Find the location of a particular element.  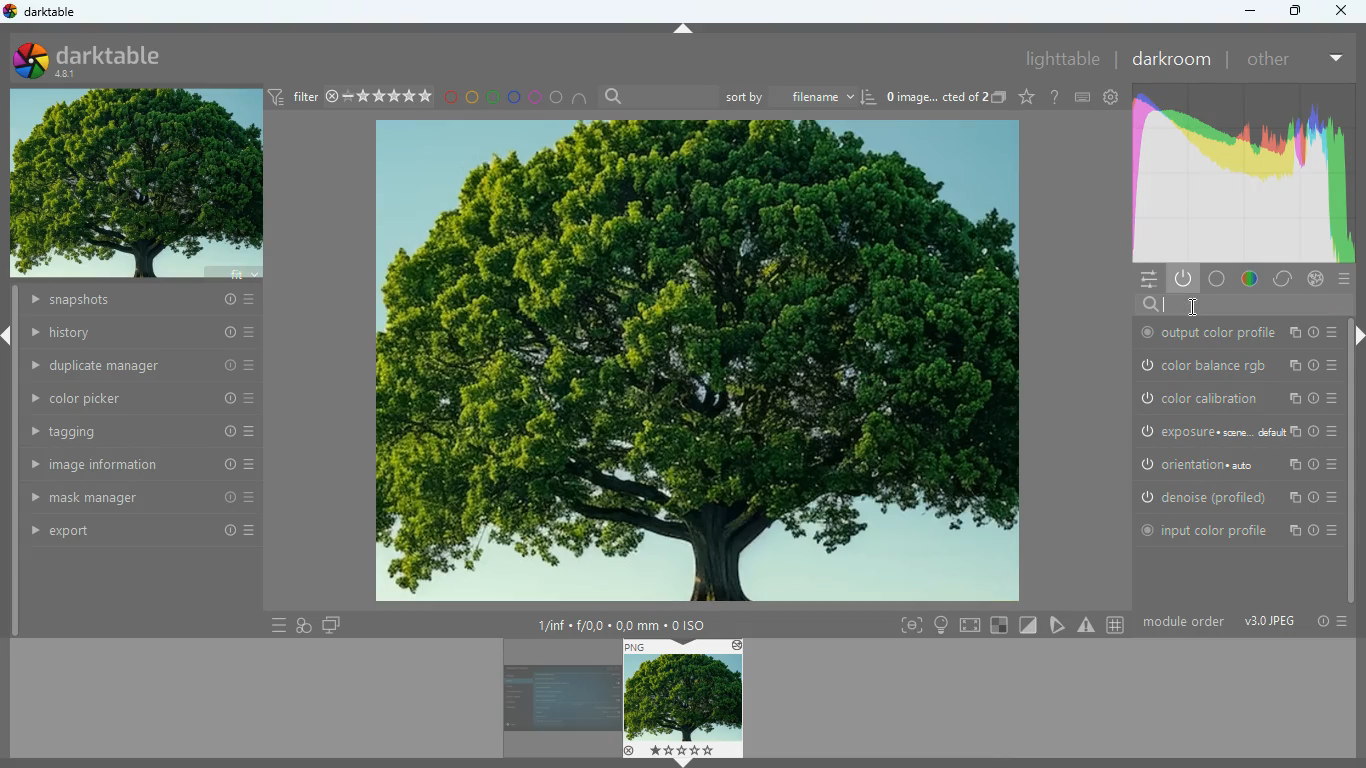

menu is located at coordinates (1342, 622).